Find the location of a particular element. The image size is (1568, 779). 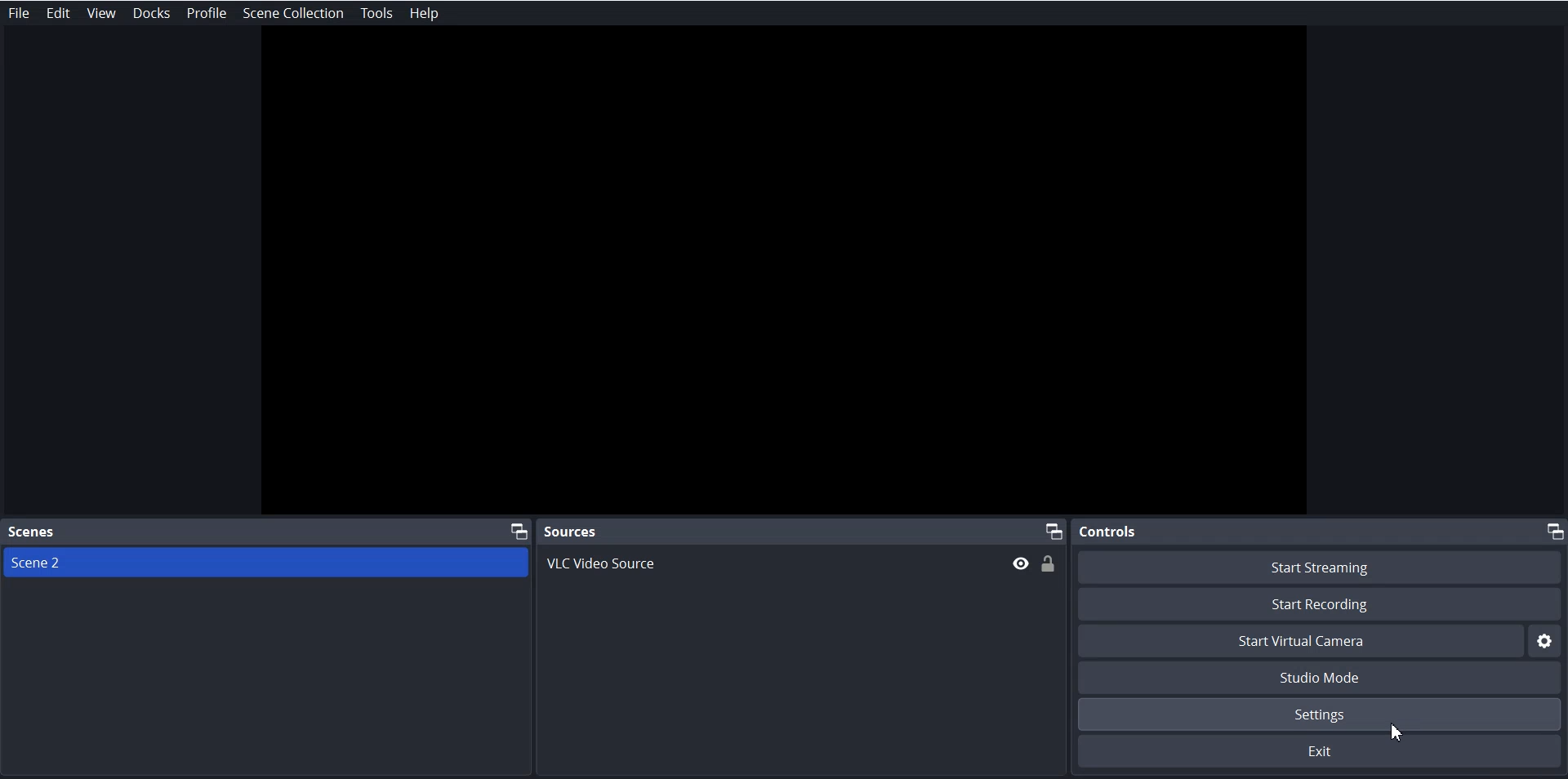

Contols is located at coordinates (1108, 532).